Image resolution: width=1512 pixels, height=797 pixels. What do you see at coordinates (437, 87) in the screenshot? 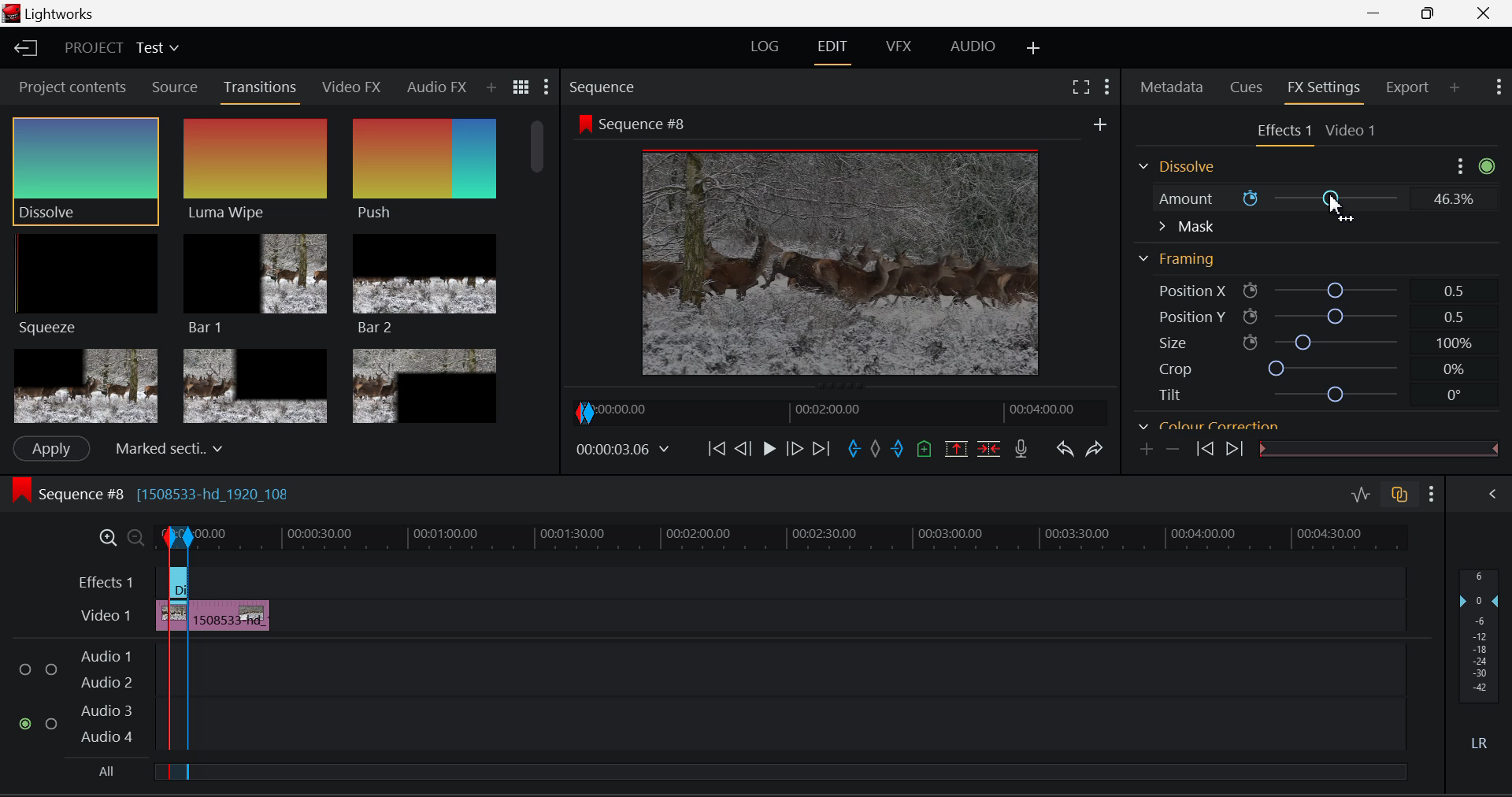
I see `Audio FX` at bounding box center [437, 87].